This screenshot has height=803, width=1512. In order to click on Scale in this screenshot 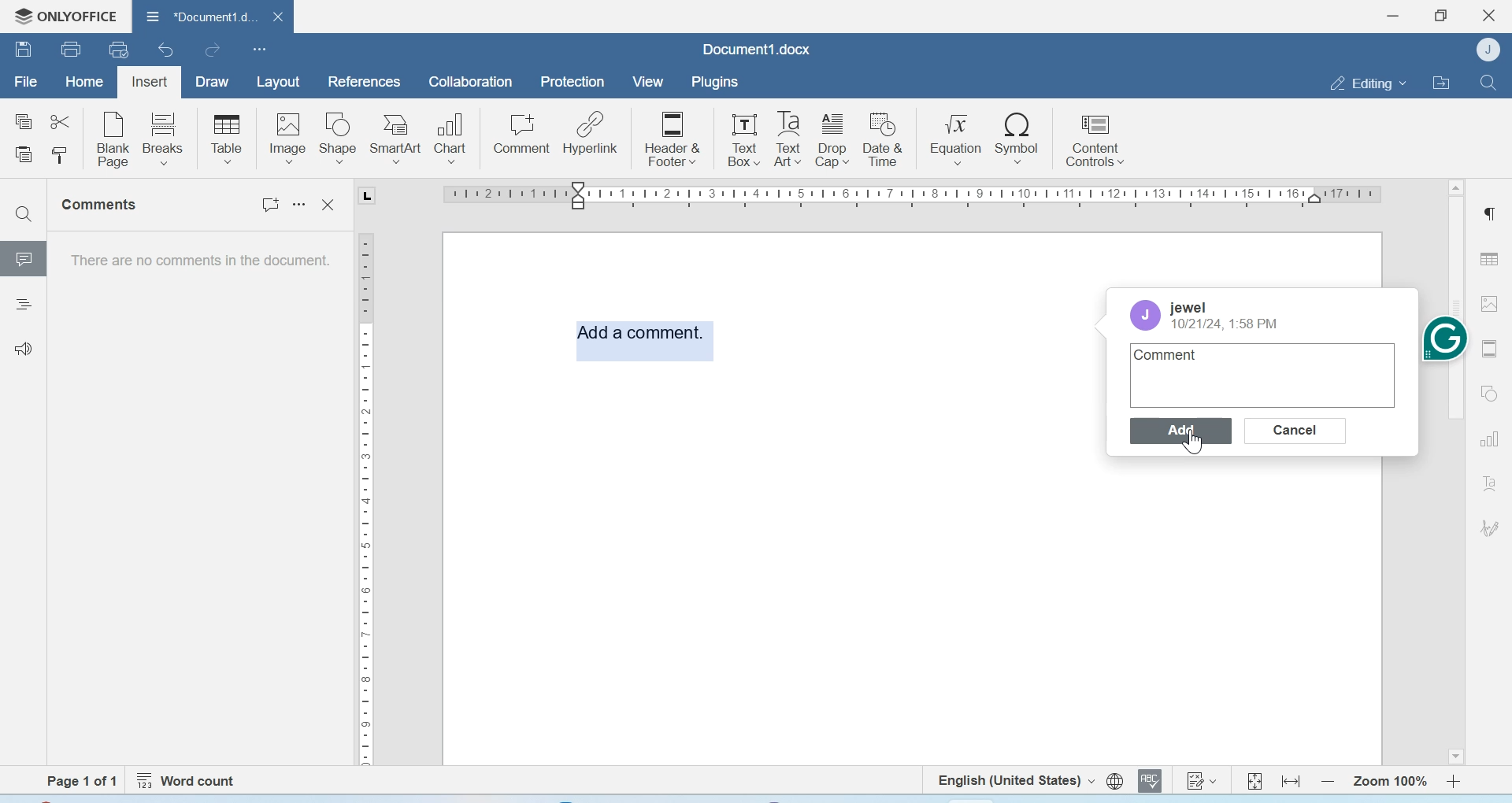, I will do `click(364, 505)`.